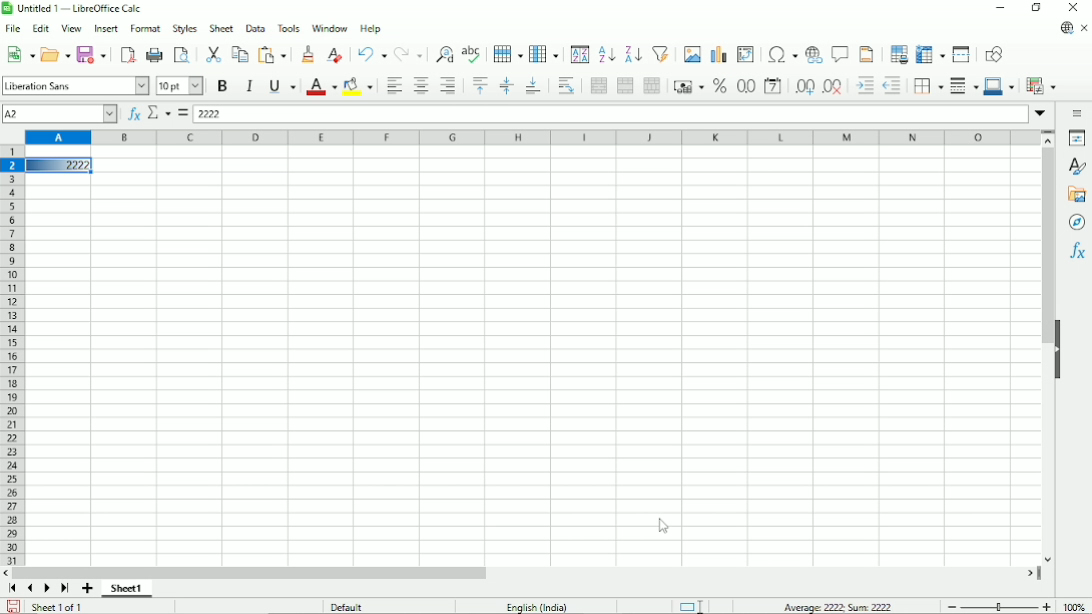  I want to click on Auto filter, so click(661, 53).